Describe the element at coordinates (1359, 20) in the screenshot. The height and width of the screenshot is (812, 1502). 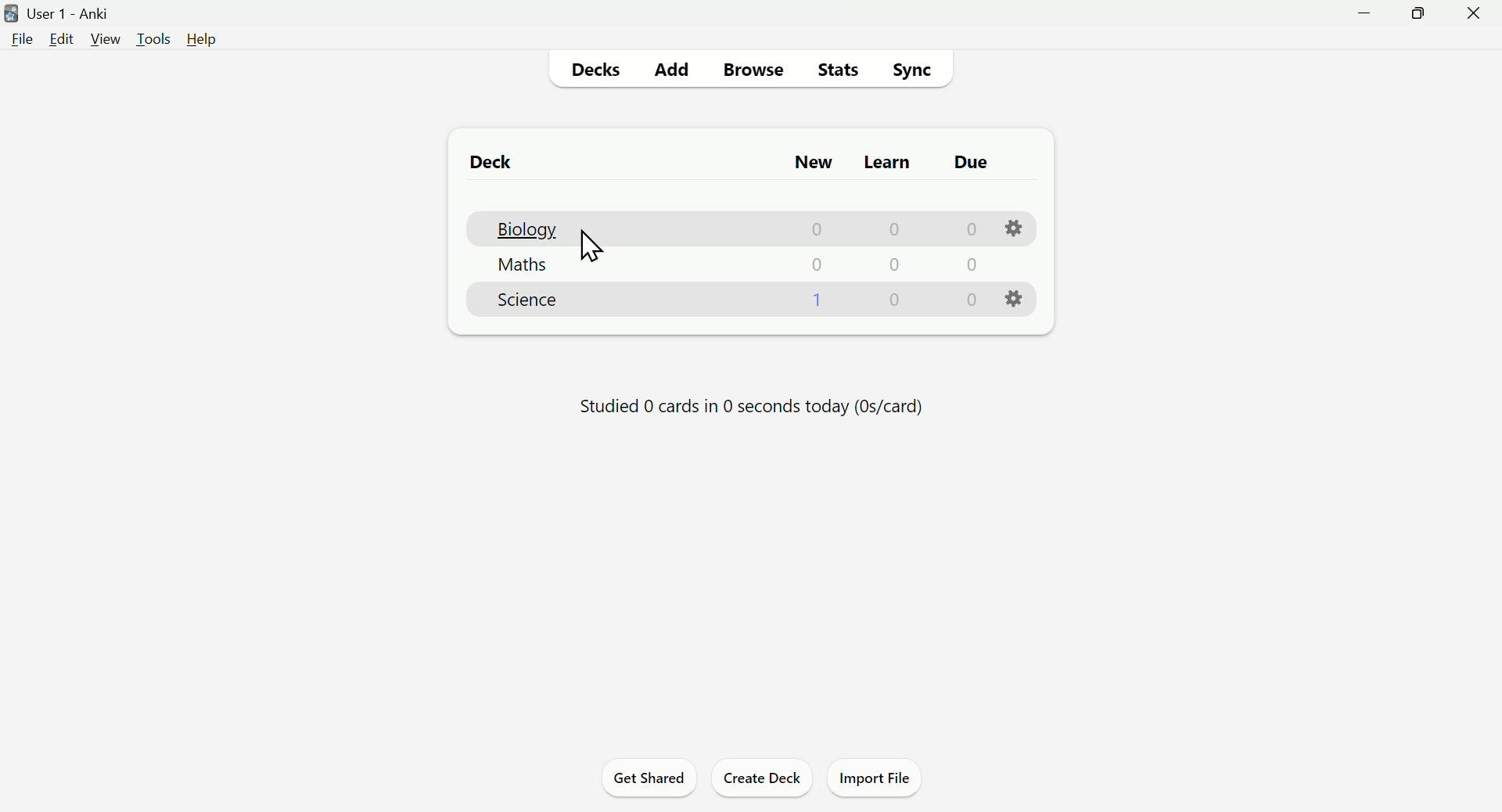
I see `Minimize` at that location.